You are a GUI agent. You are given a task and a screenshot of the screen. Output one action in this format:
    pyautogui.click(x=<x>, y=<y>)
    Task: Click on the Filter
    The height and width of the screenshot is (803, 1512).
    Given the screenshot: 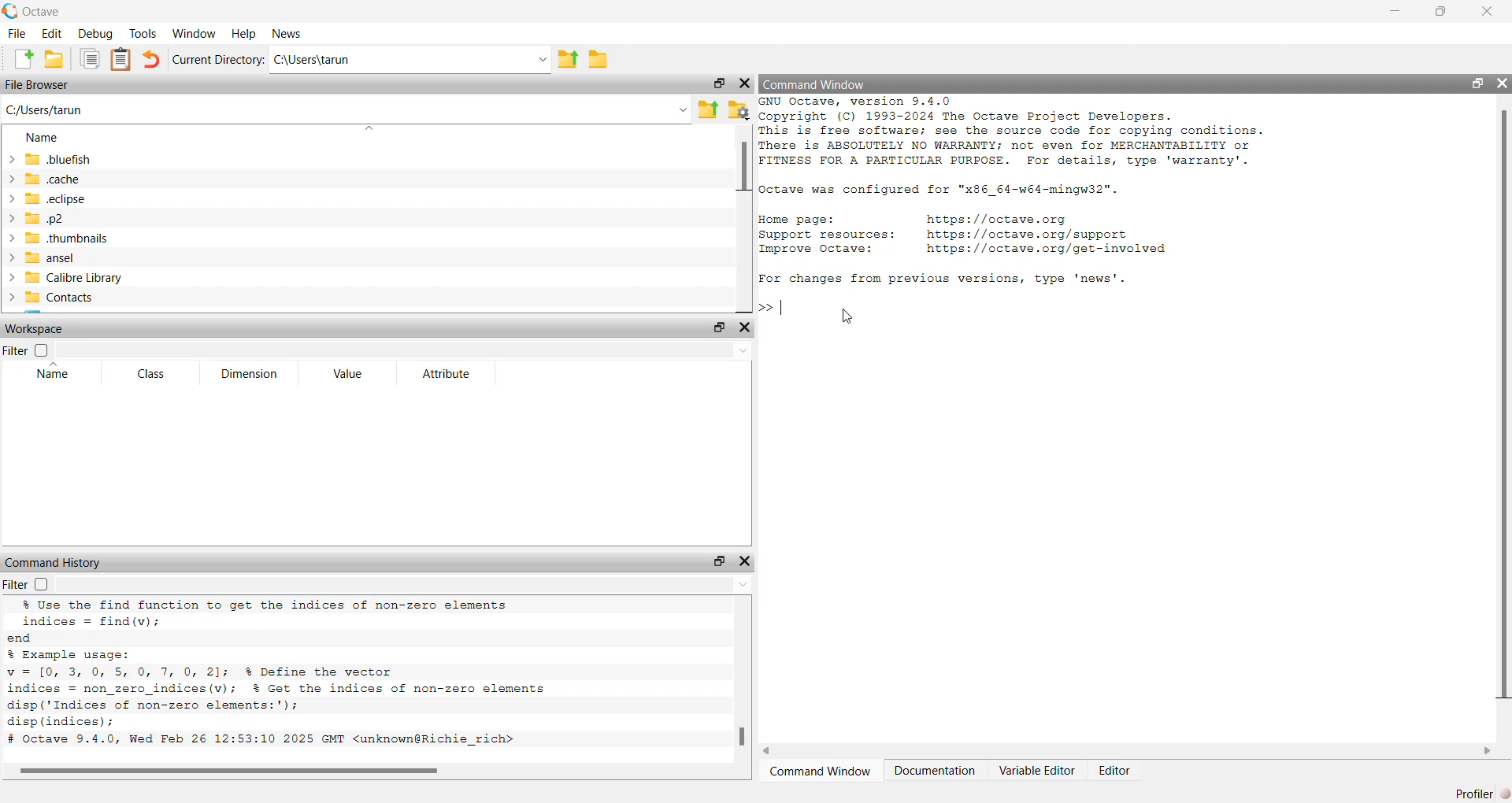 What is the action you would take?
    pyautogui.click(x=16, y=352)
    